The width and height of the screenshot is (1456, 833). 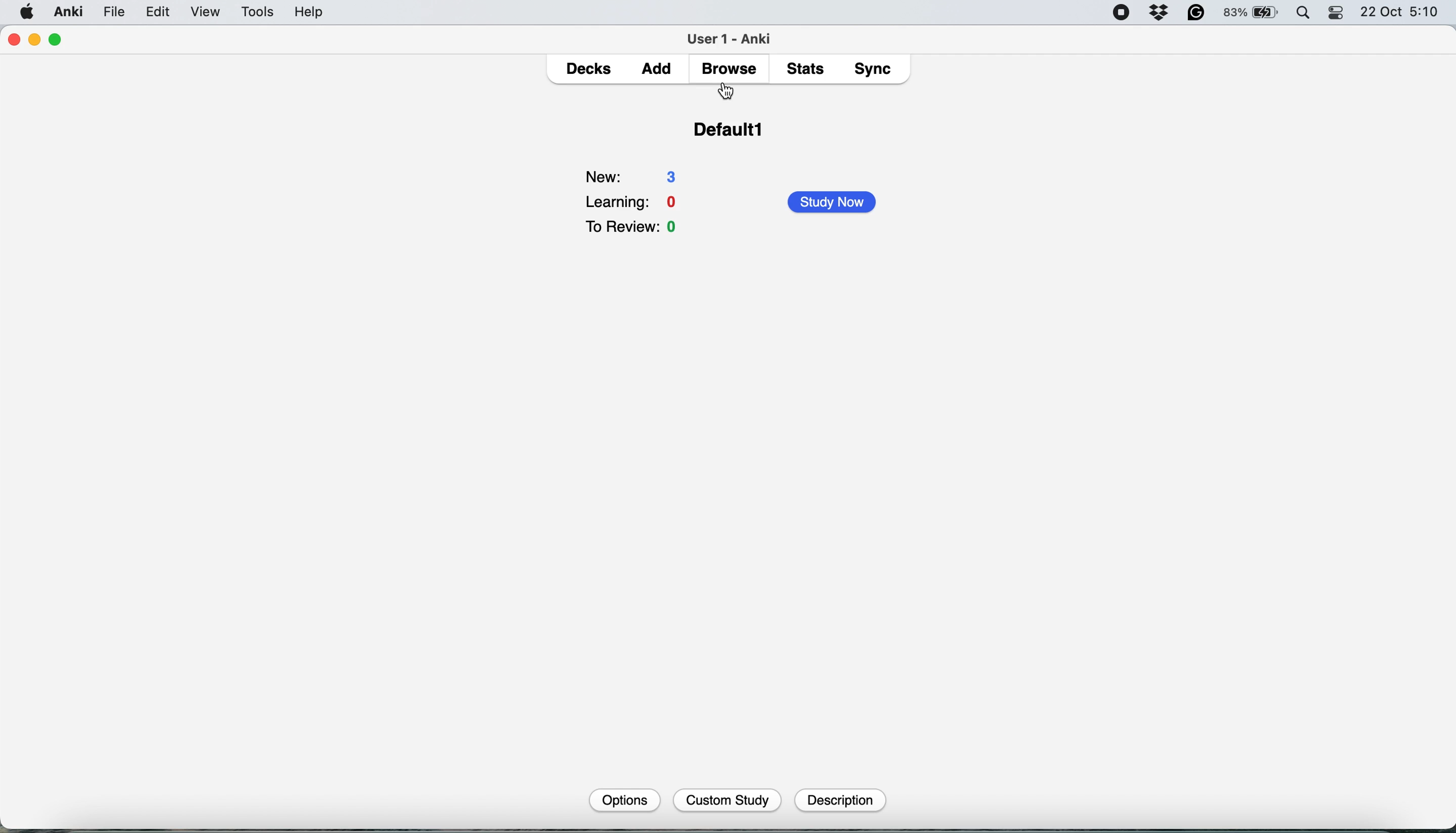 I want to click on stats, so click(x=809, y=68).